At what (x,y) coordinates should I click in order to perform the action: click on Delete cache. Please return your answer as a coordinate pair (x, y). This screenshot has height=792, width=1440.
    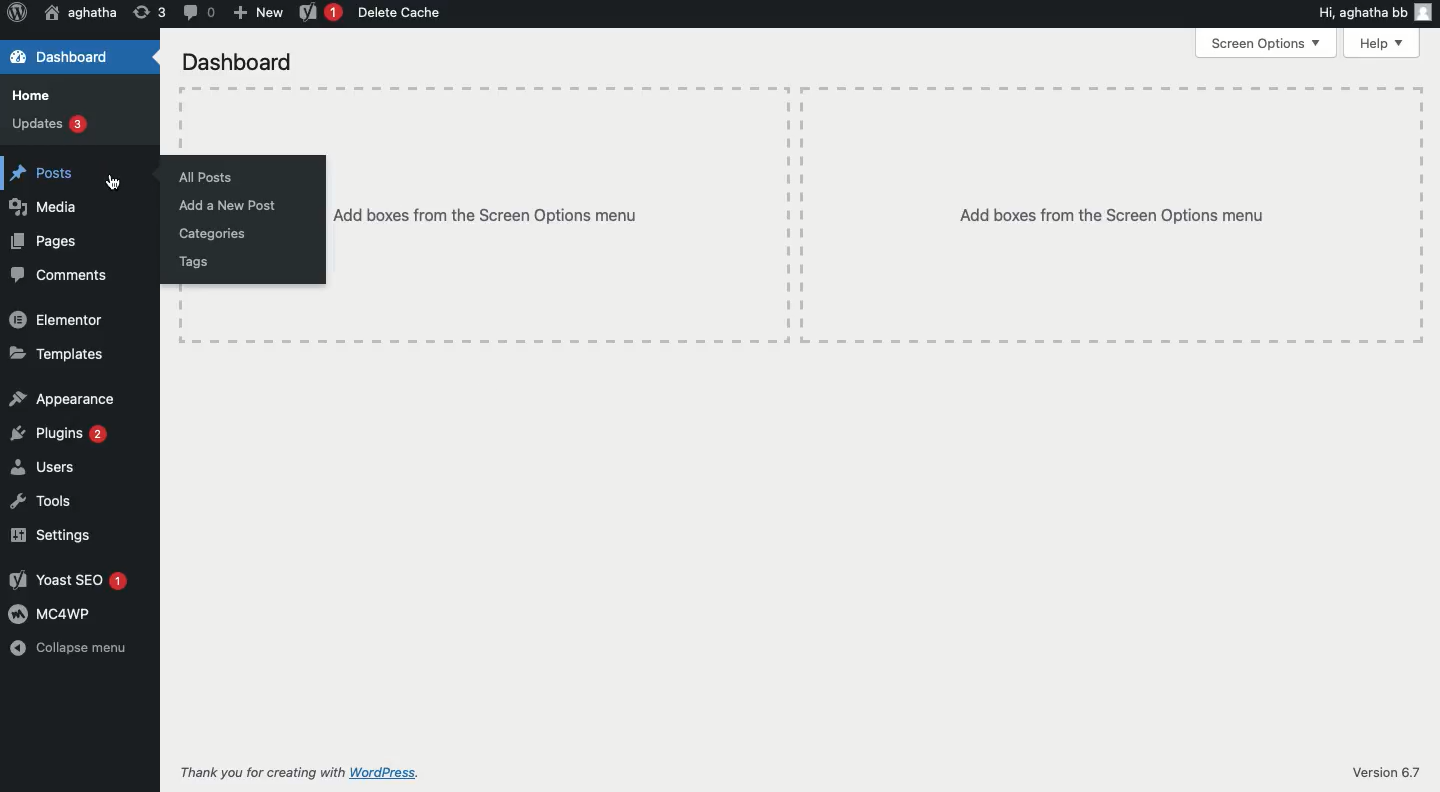
    Looking at the image, I should click on (403, 14).